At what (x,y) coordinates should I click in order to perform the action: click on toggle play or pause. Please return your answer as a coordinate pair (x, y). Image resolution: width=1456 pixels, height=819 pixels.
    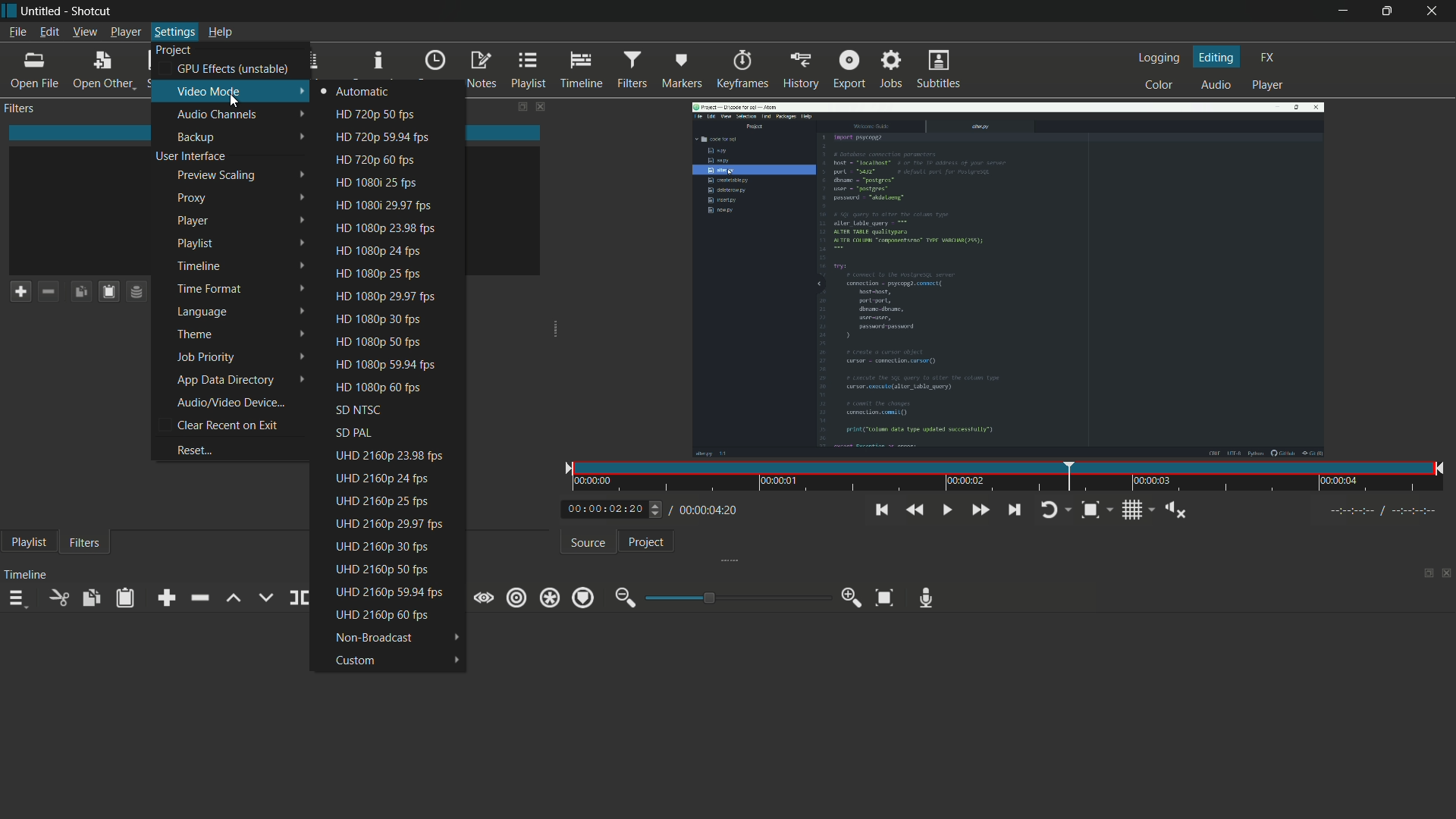
    Looking at the image, I should click on (946, 510).